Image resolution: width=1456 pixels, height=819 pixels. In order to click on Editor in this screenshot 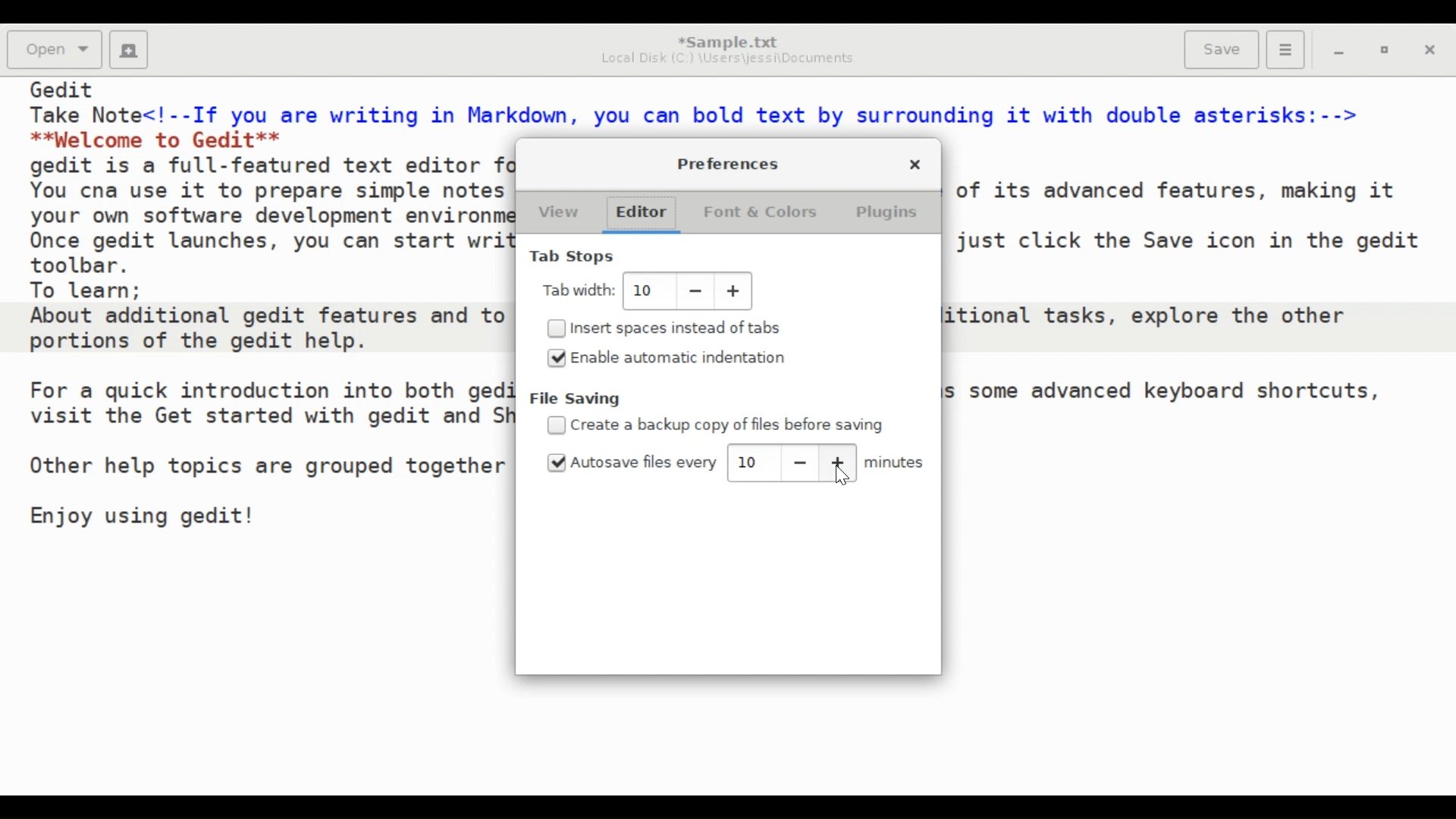, I will do `click(640, 214)`.